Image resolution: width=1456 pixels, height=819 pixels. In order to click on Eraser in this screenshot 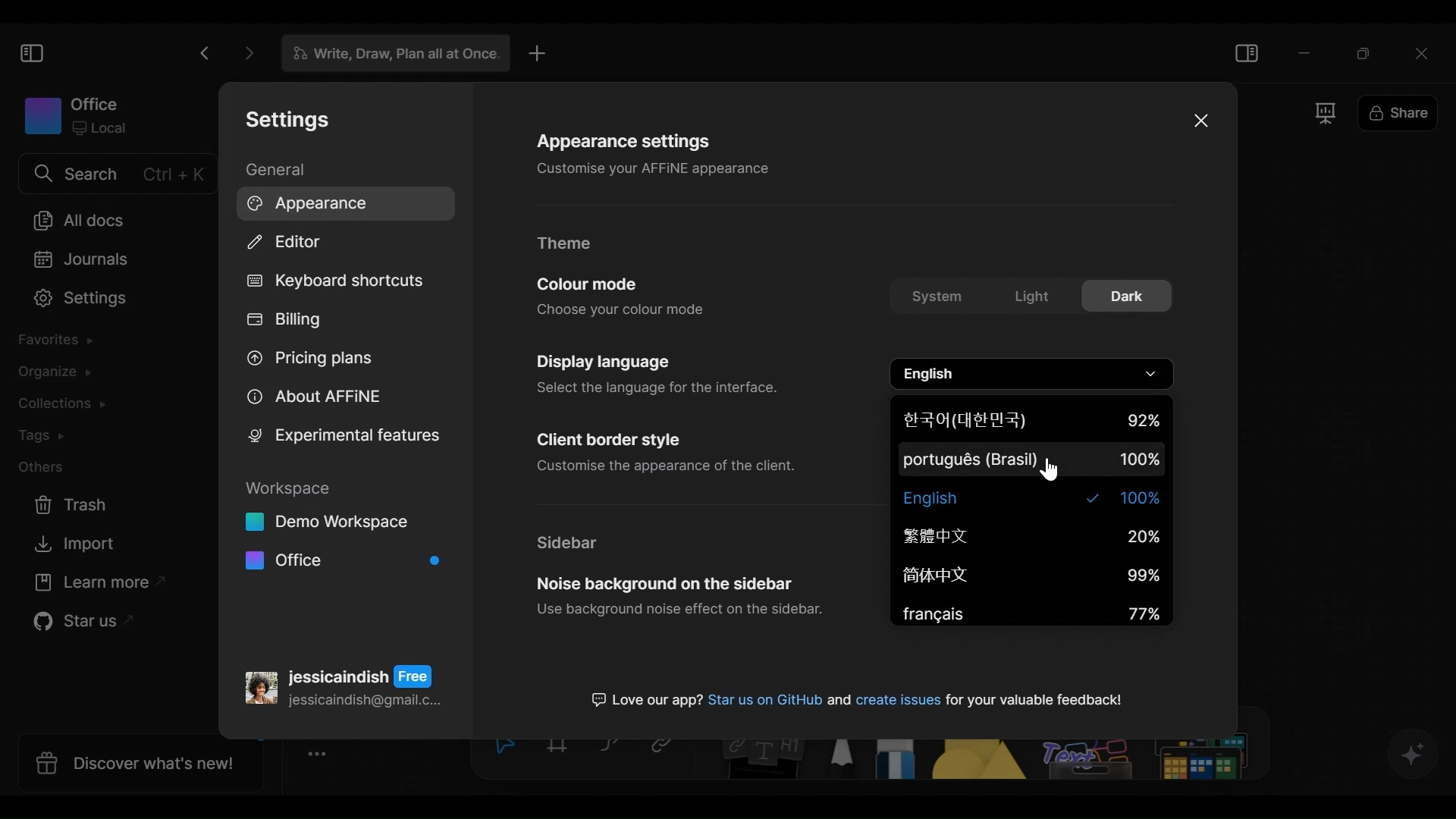, I will do `click(899, 761)`.